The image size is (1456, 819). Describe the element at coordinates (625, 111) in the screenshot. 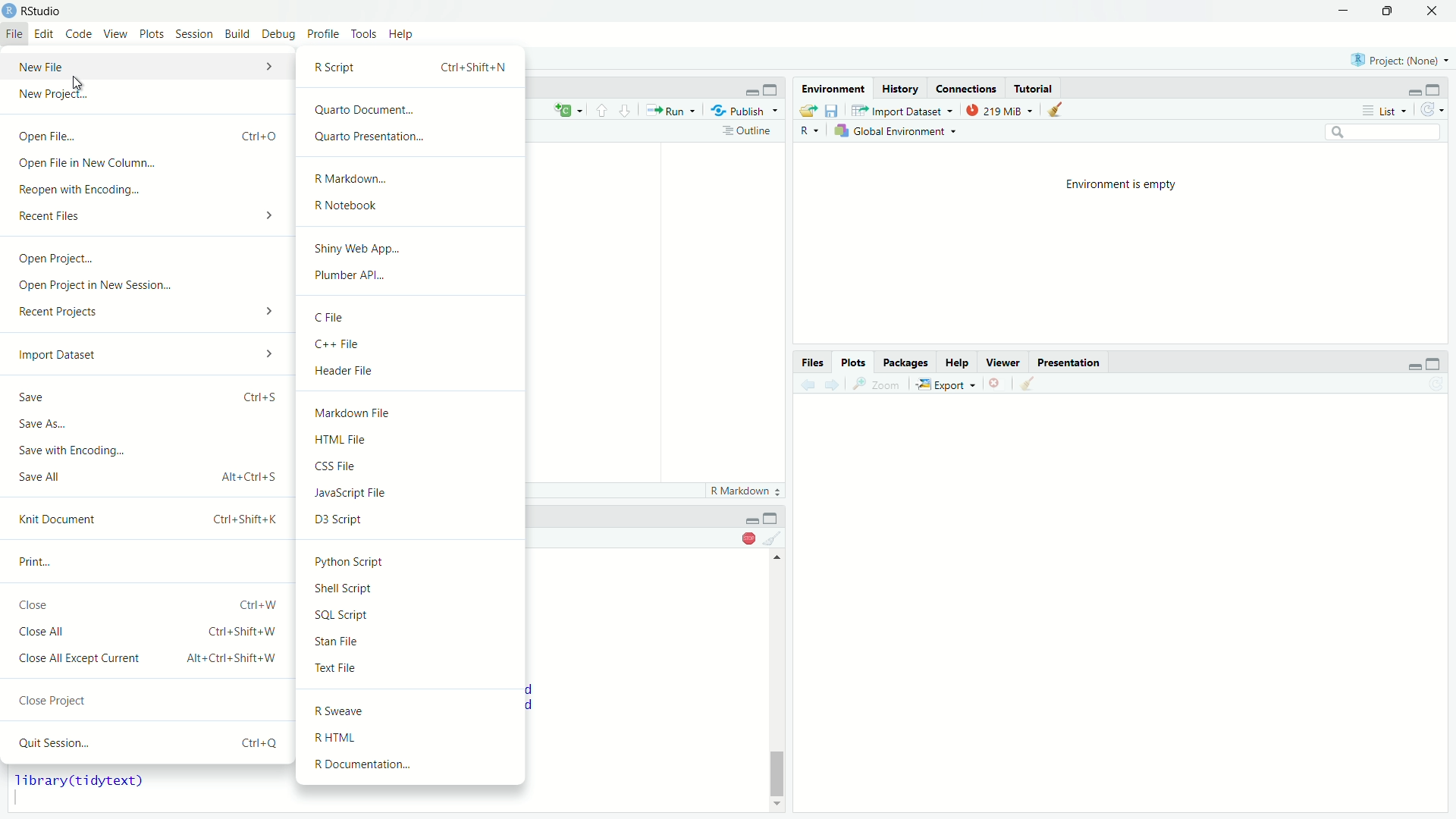

I see `go to next section` at that location.